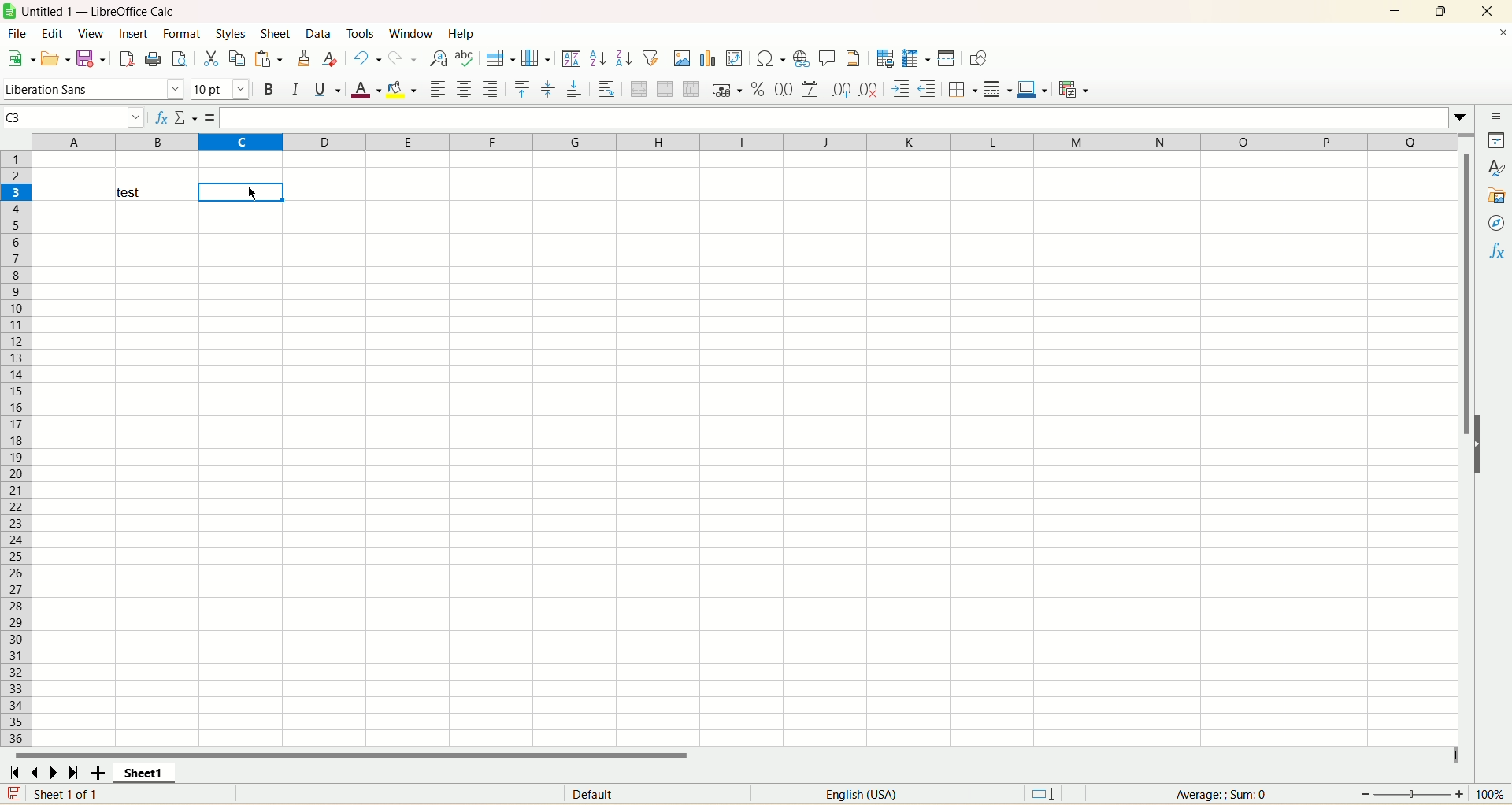  What do you see at coordinates (491, 89) in the screenshot?
I see `align left` at bounding box center [491, 89].